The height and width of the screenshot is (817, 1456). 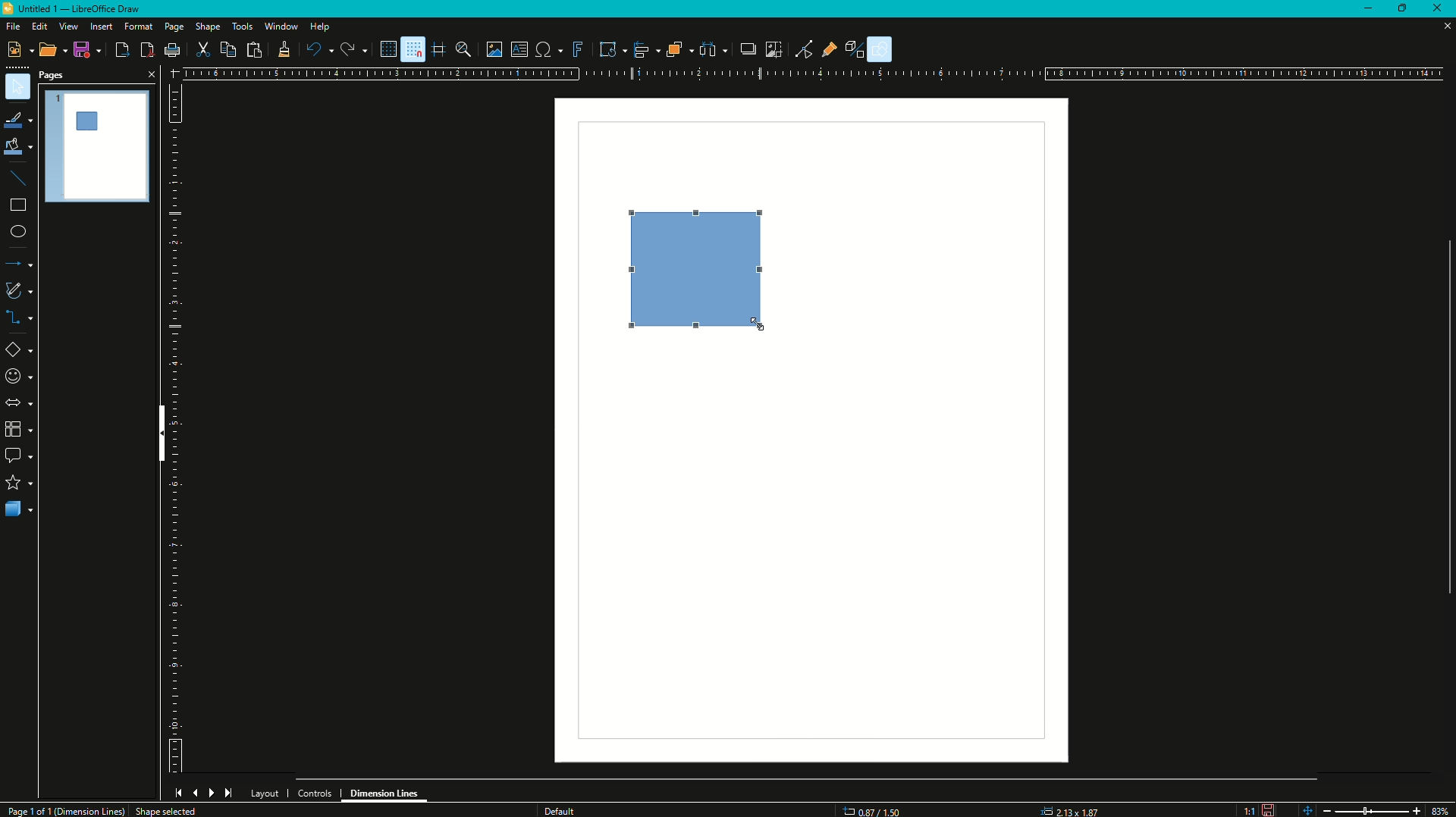 What do you see at coordinates (519, 49) in the screenshot?
I see `Insert Text Box` at bounding box center [519, 49].